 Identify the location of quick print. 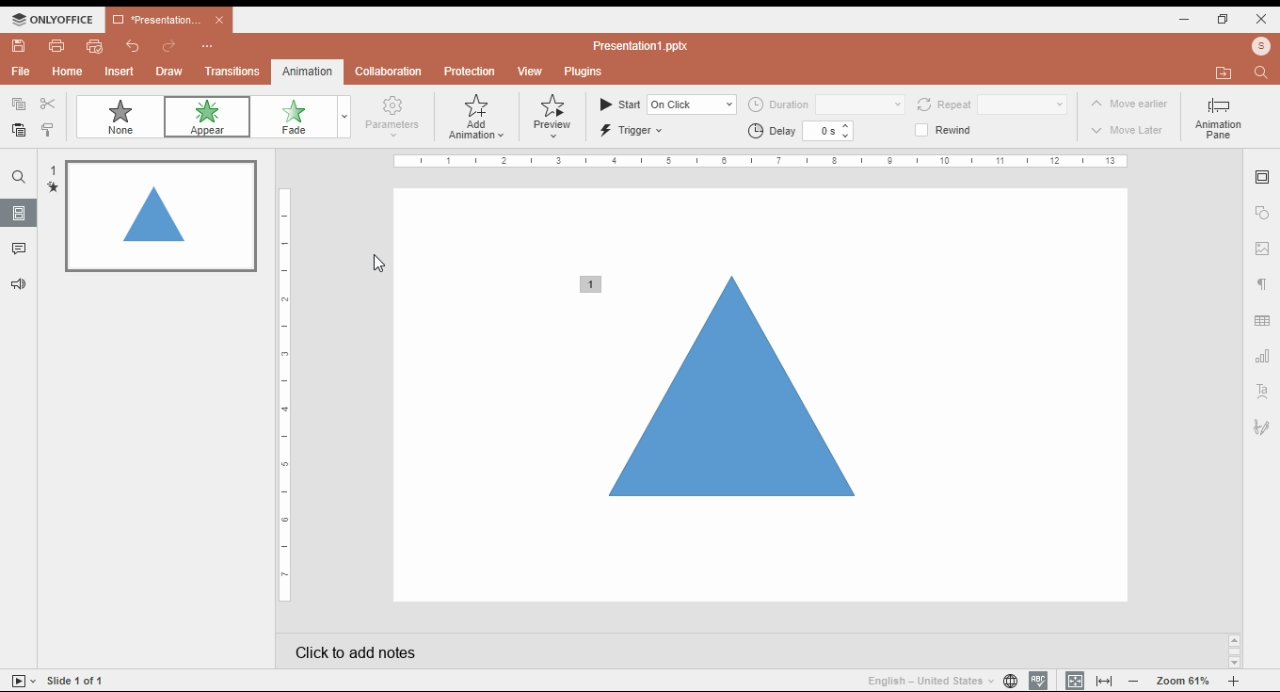
(97, 45).